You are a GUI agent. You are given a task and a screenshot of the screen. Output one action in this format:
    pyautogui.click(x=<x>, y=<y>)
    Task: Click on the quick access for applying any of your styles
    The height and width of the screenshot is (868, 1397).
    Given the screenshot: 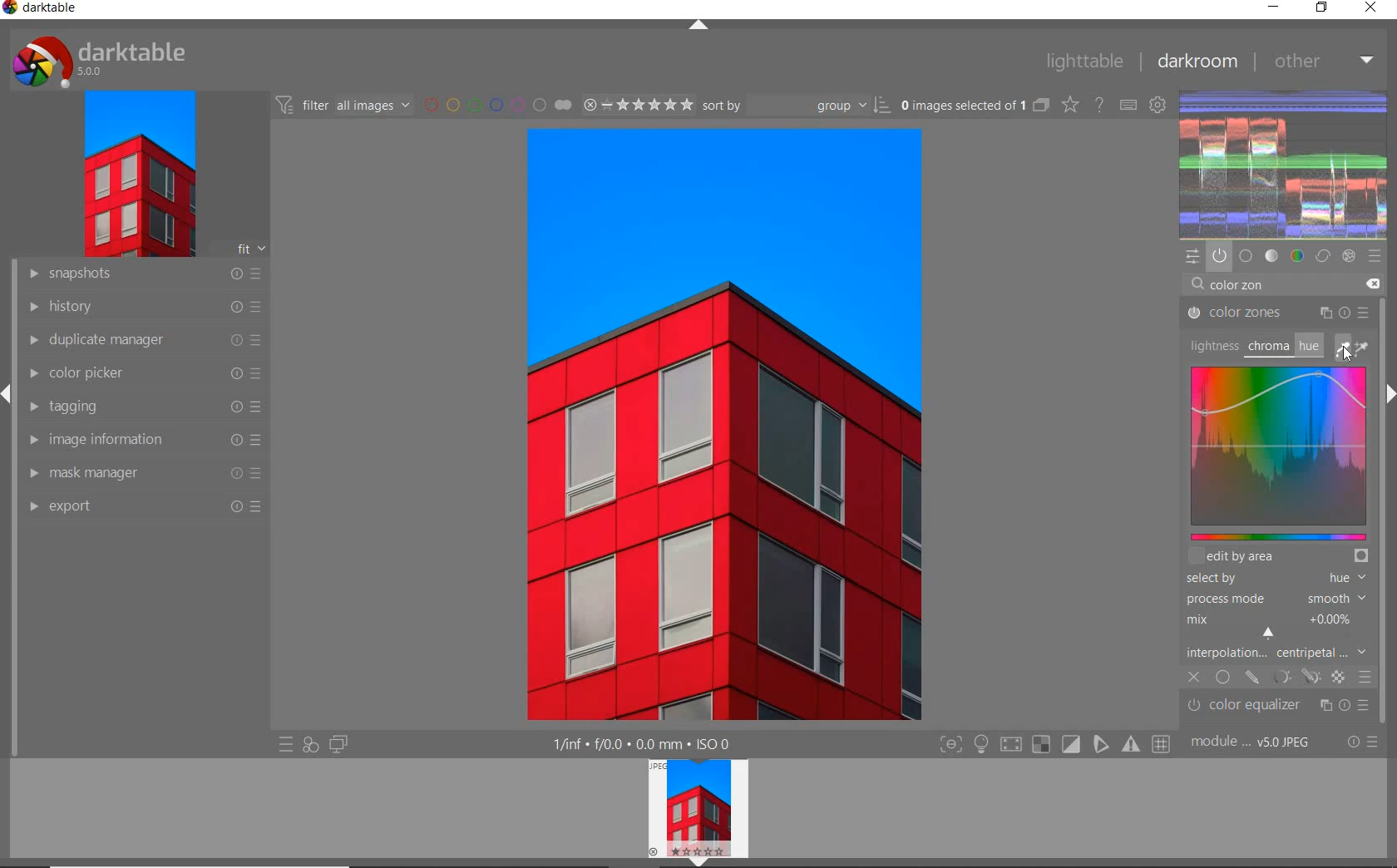 What is the action you would take?
    pyautogui.click(x=311, y=744)
    